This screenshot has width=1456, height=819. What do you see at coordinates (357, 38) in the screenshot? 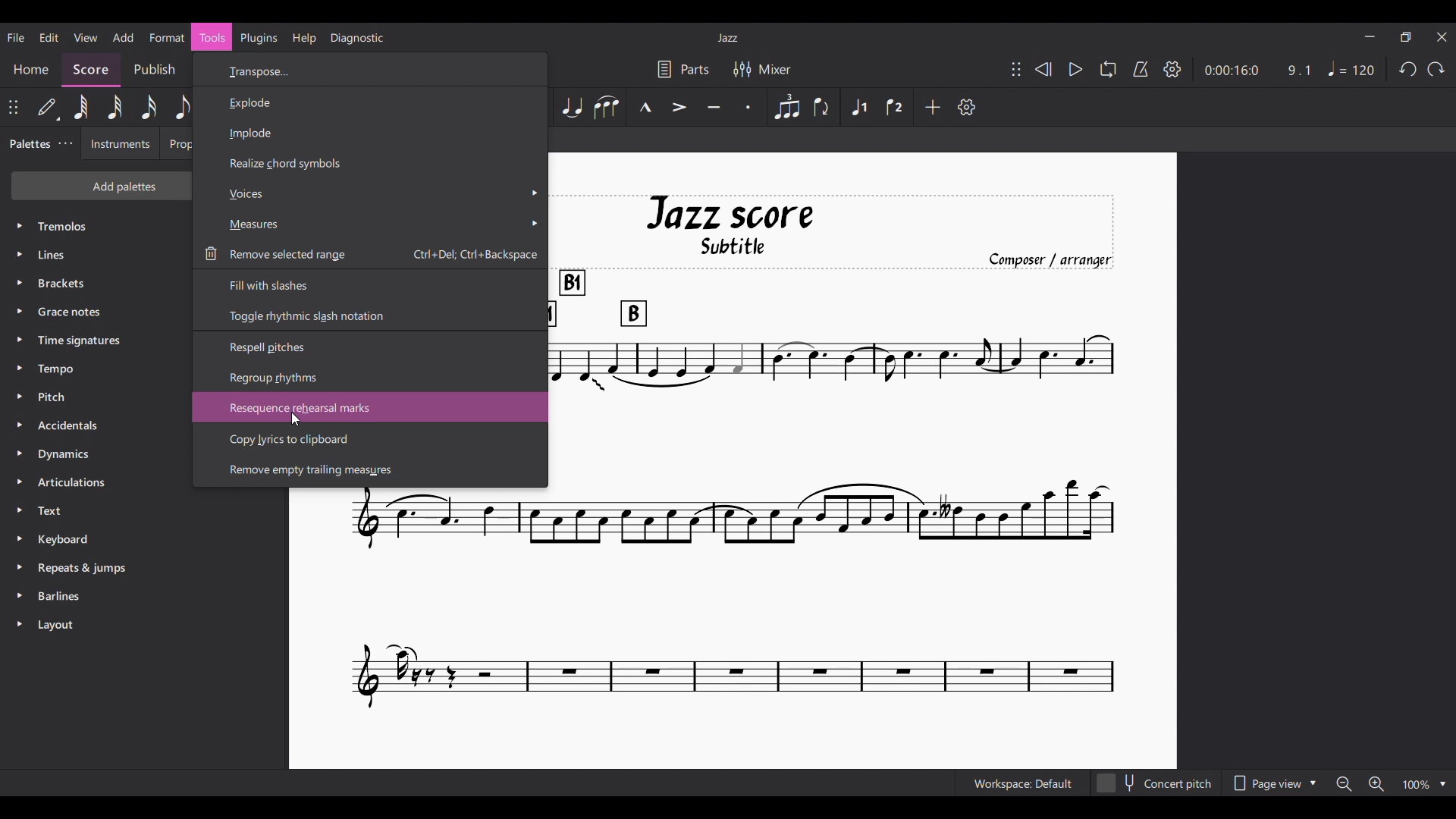
I see `Diagnostic menu` at bounding box center [357, 38].